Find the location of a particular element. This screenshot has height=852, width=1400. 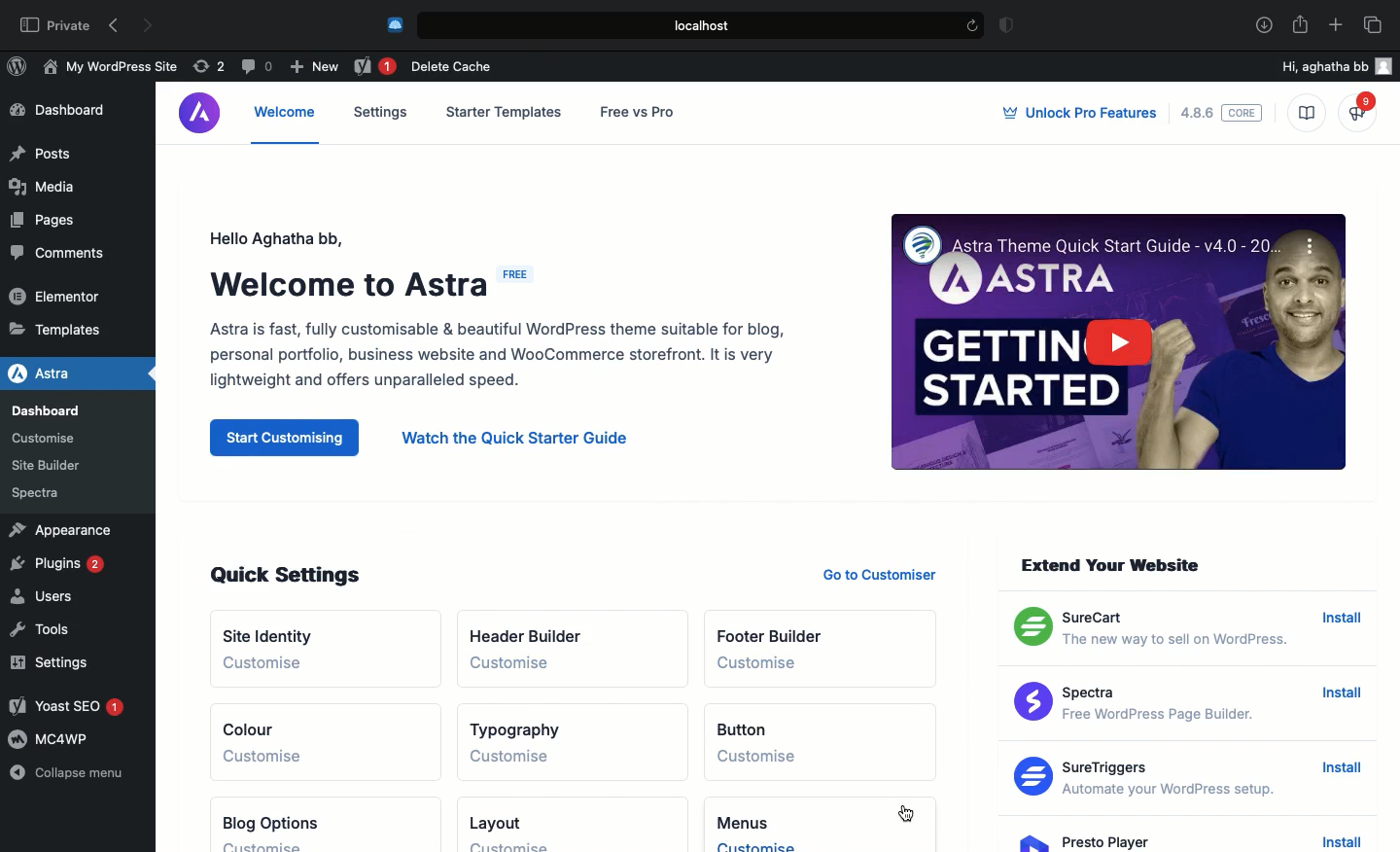

Free vs pro is located at coordinates (638, 112).